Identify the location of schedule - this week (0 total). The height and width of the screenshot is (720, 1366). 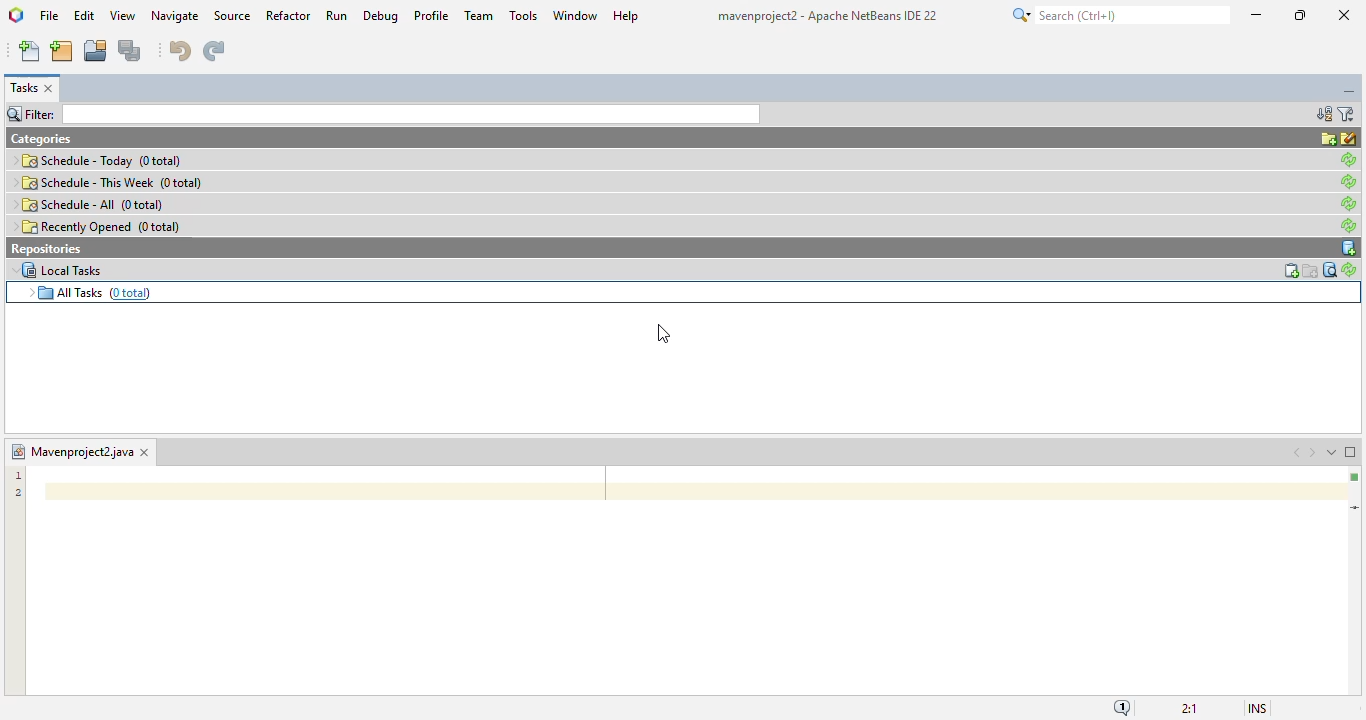
(108, 182).